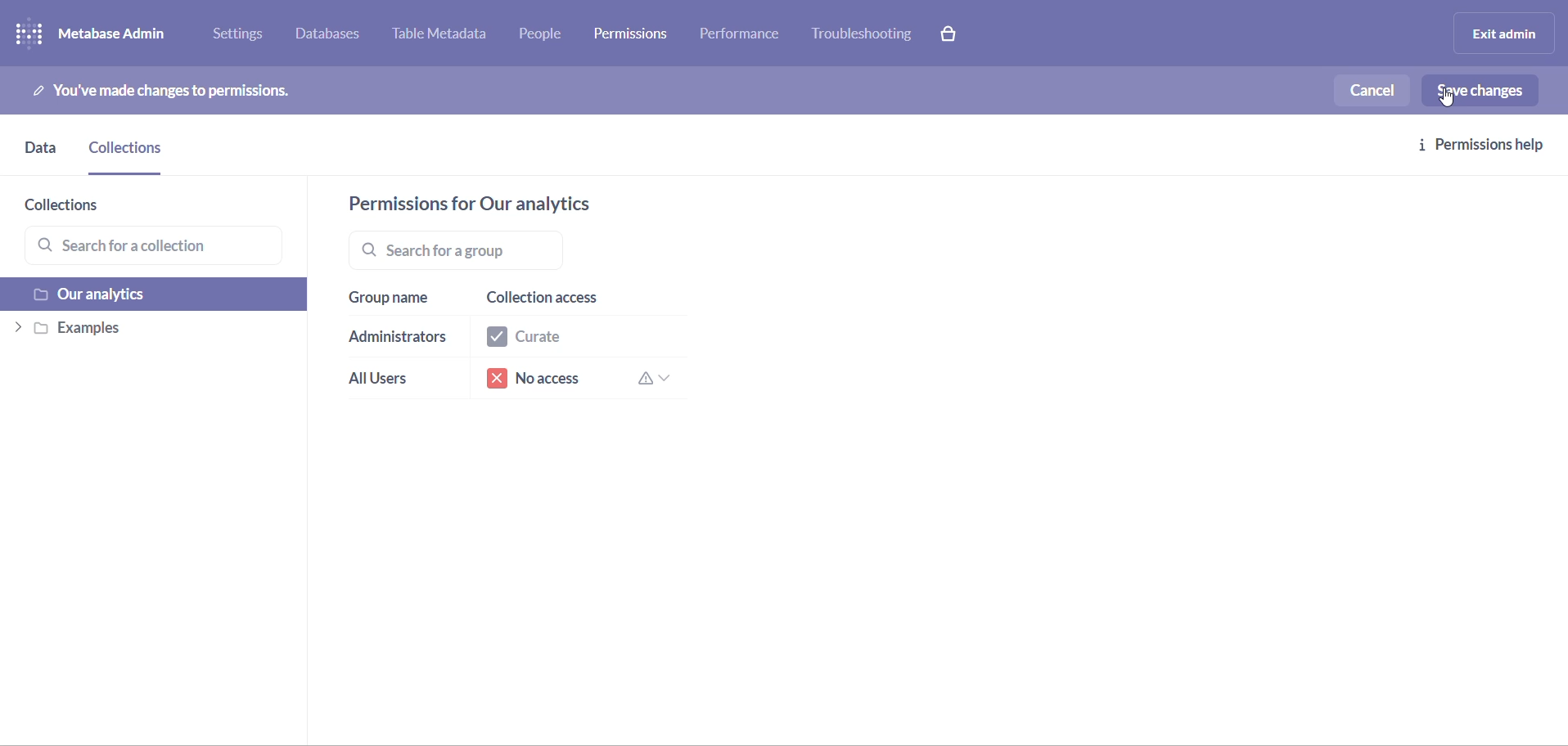  I want to click on administrators group, so click(393, 341).